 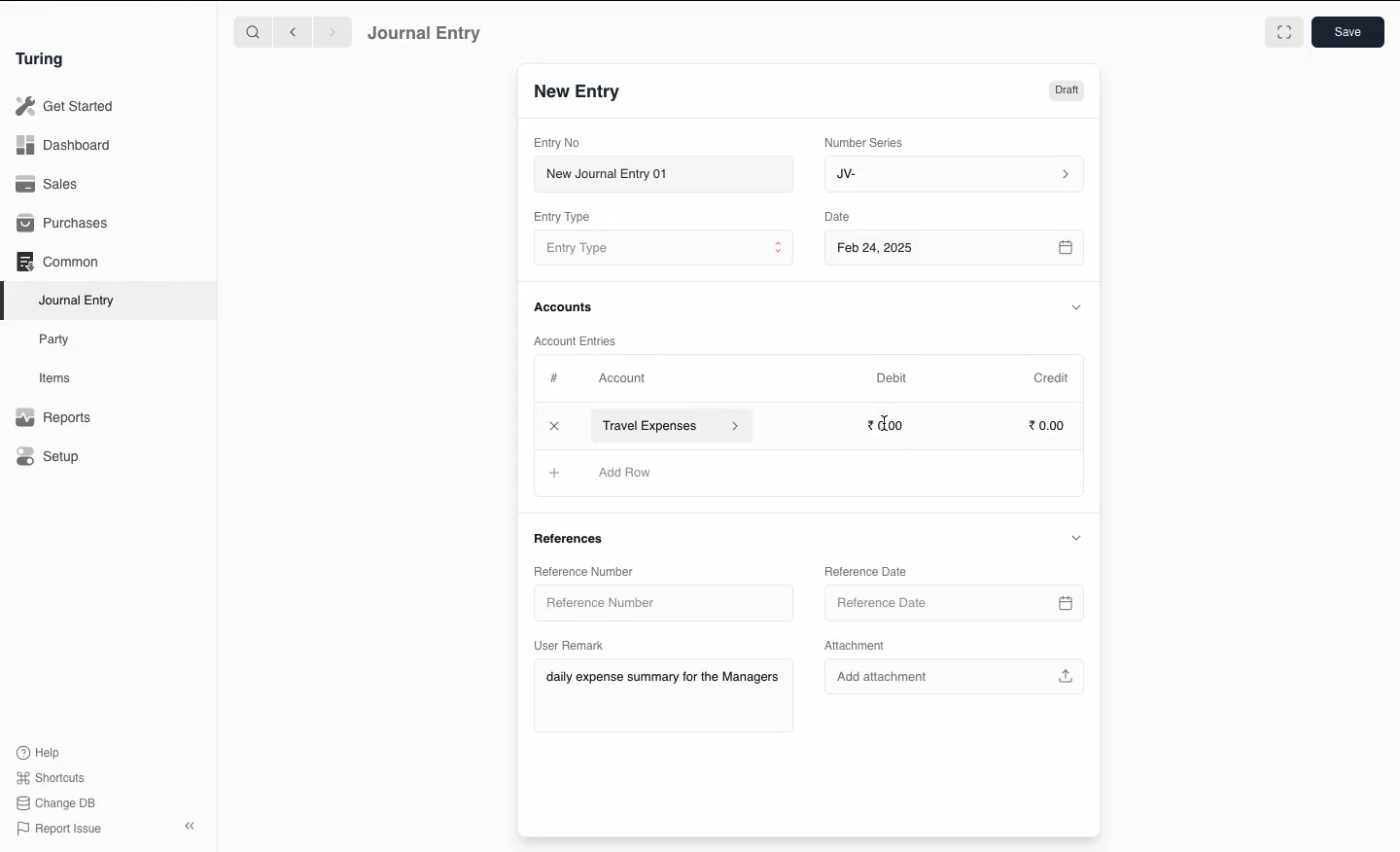 I want to click on 0.00, so click(x=1048, y=423).